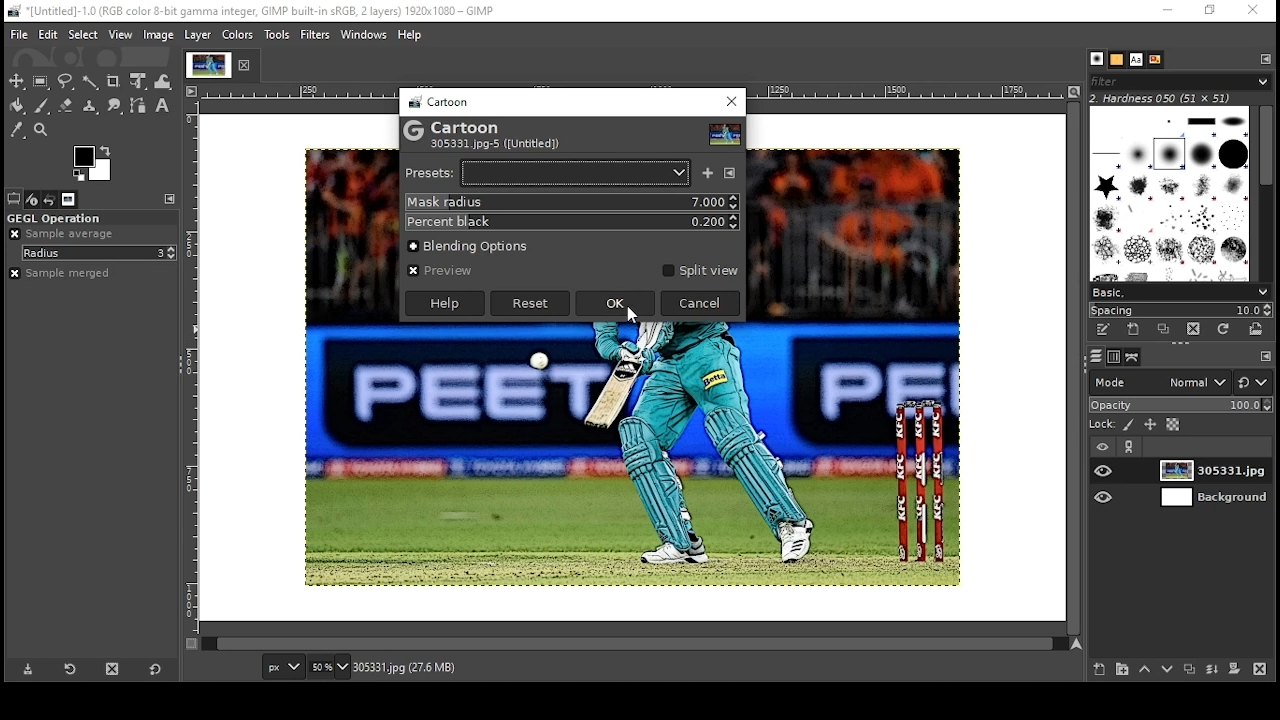 Image resolution: width=1280 pixels, height=720 pixels. I want to click on spacing, so click(1180, 309).